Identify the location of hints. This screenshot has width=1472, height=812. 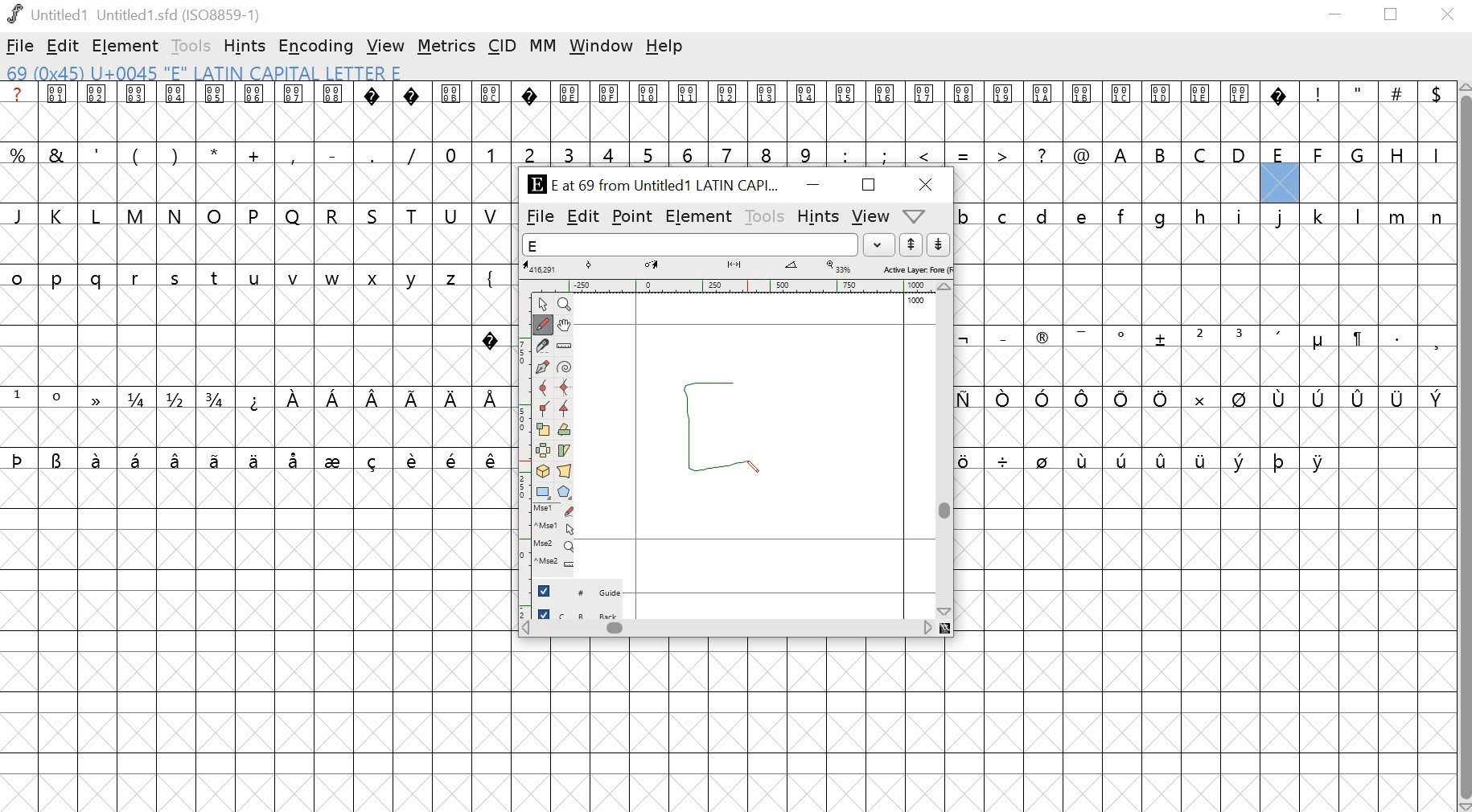
(818, 216).